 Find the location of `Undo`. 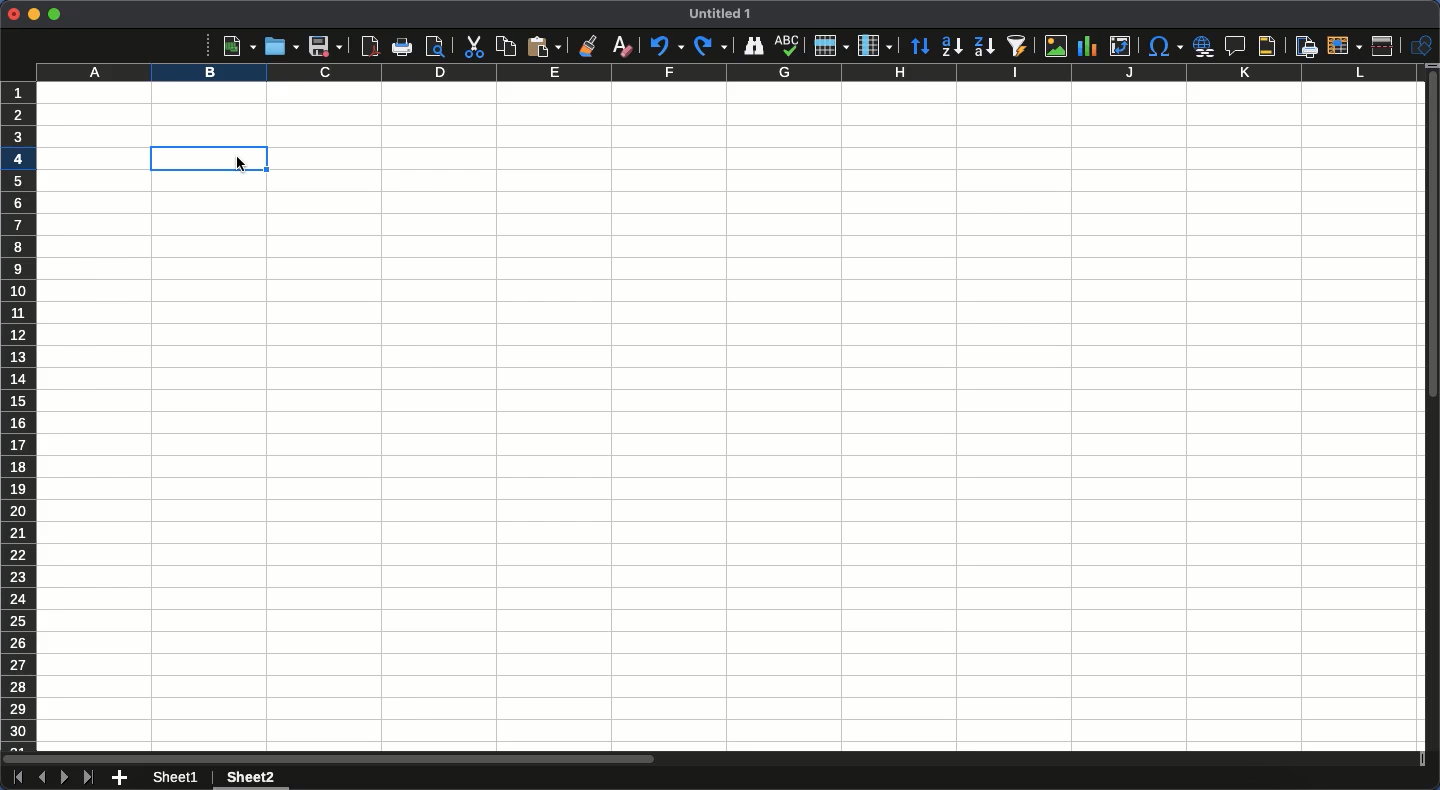

Undo is located at coordinates (665, 45).